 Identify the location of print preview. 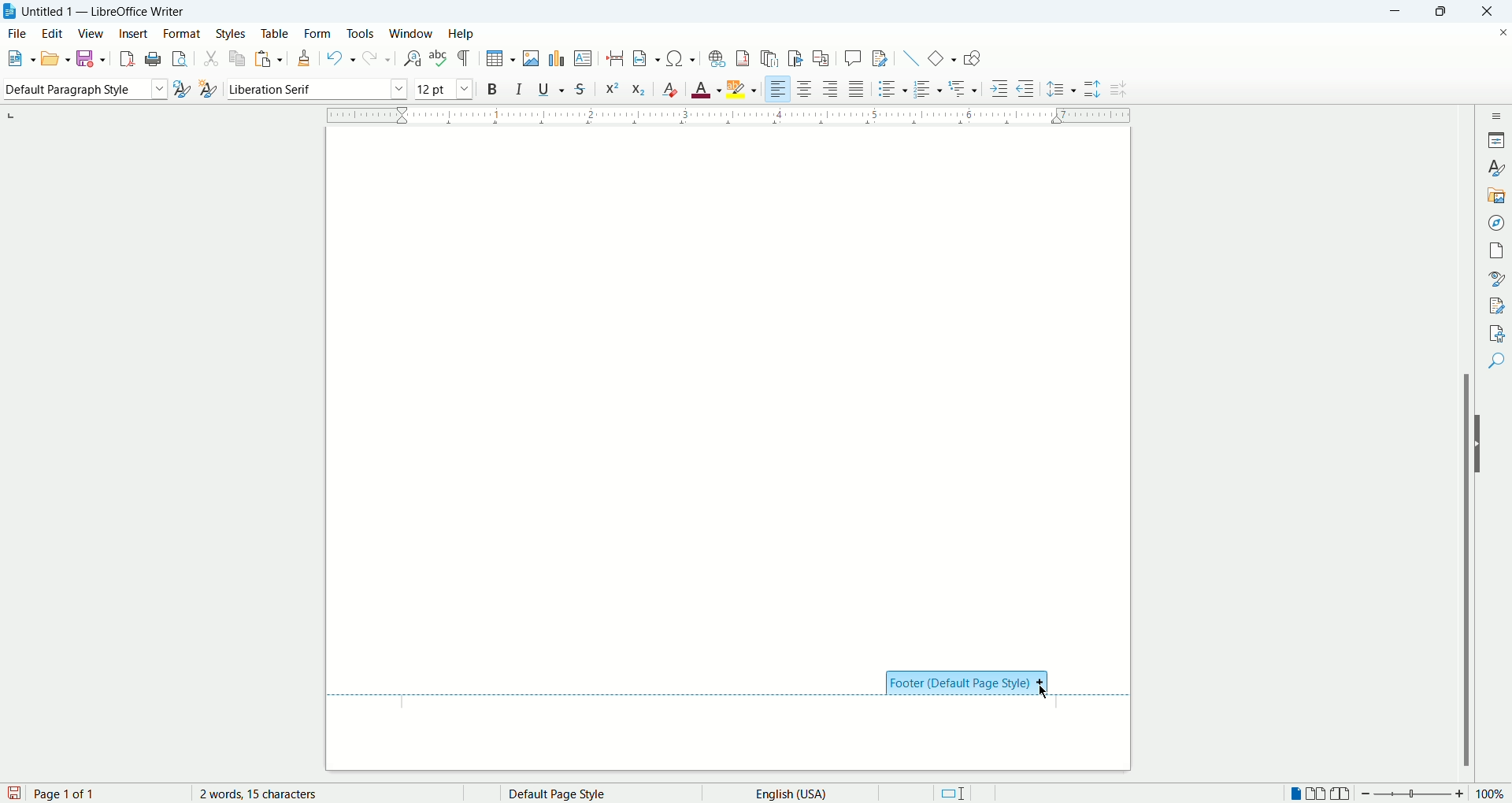
(180, 60).